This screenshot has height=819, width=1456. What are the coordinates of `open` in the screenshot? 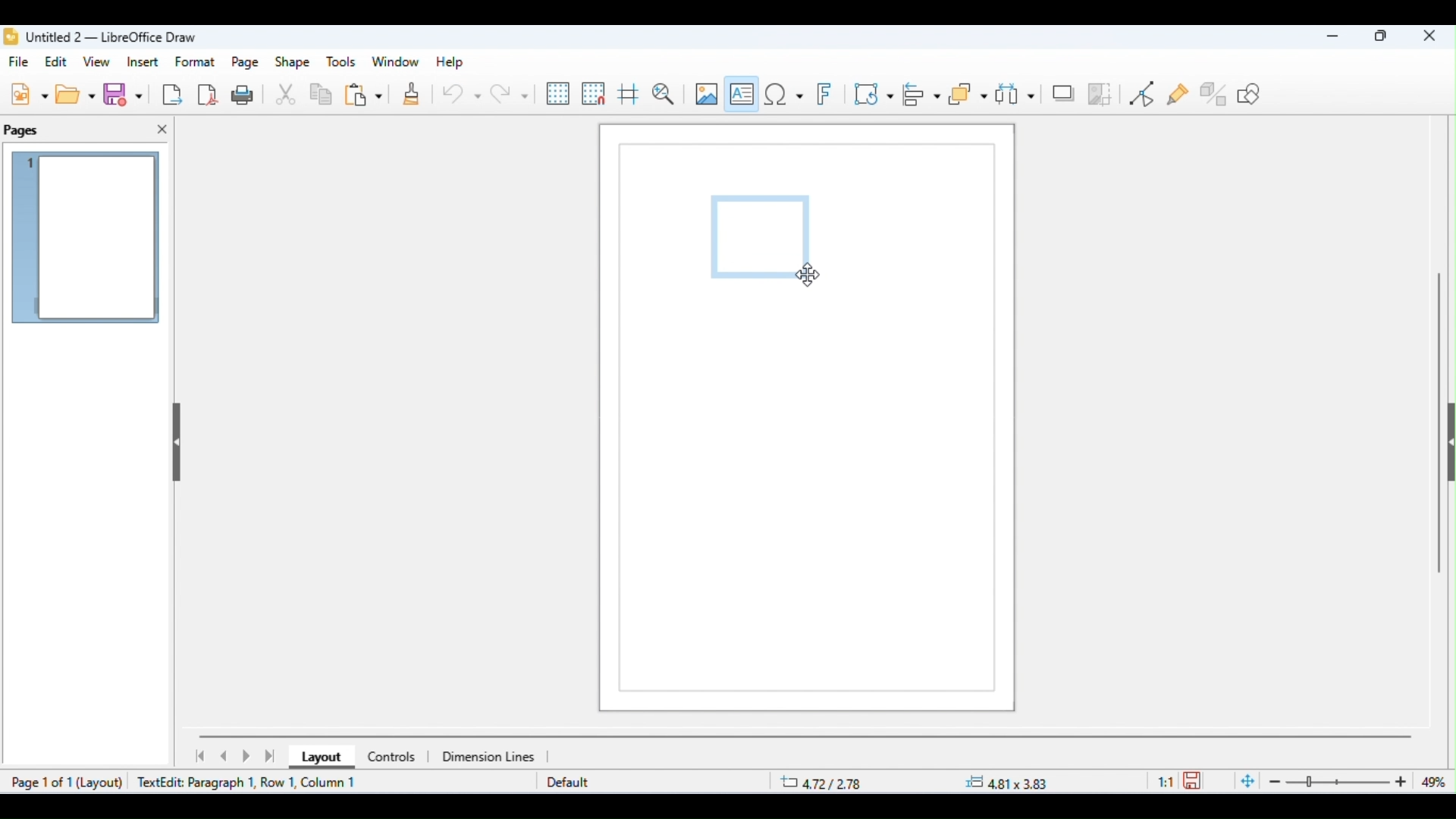 It's located at (77, 94).